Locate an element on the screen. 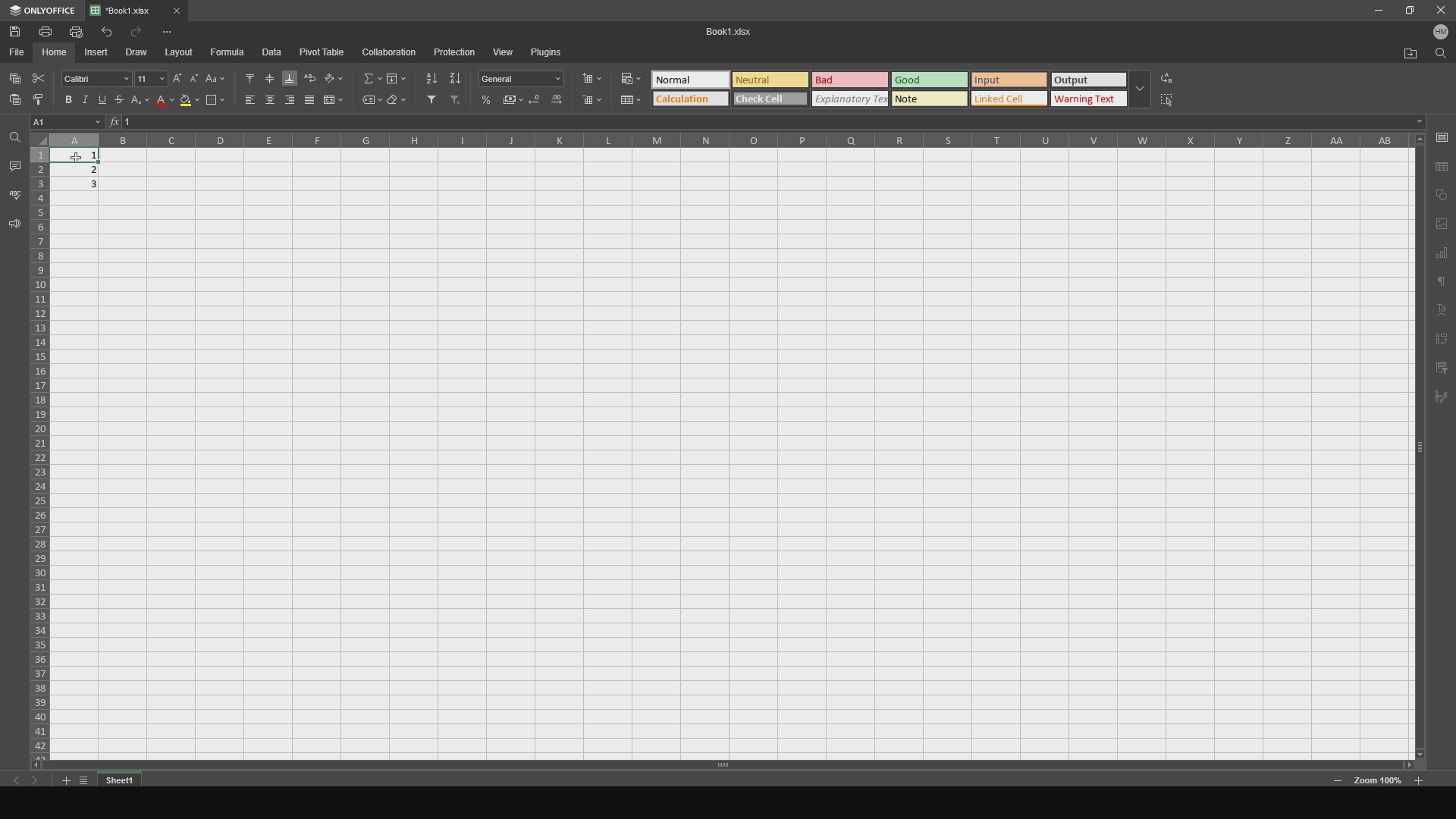 This screenshot has width=1456, height=819. list tabs is located at coordinates (86, 780).